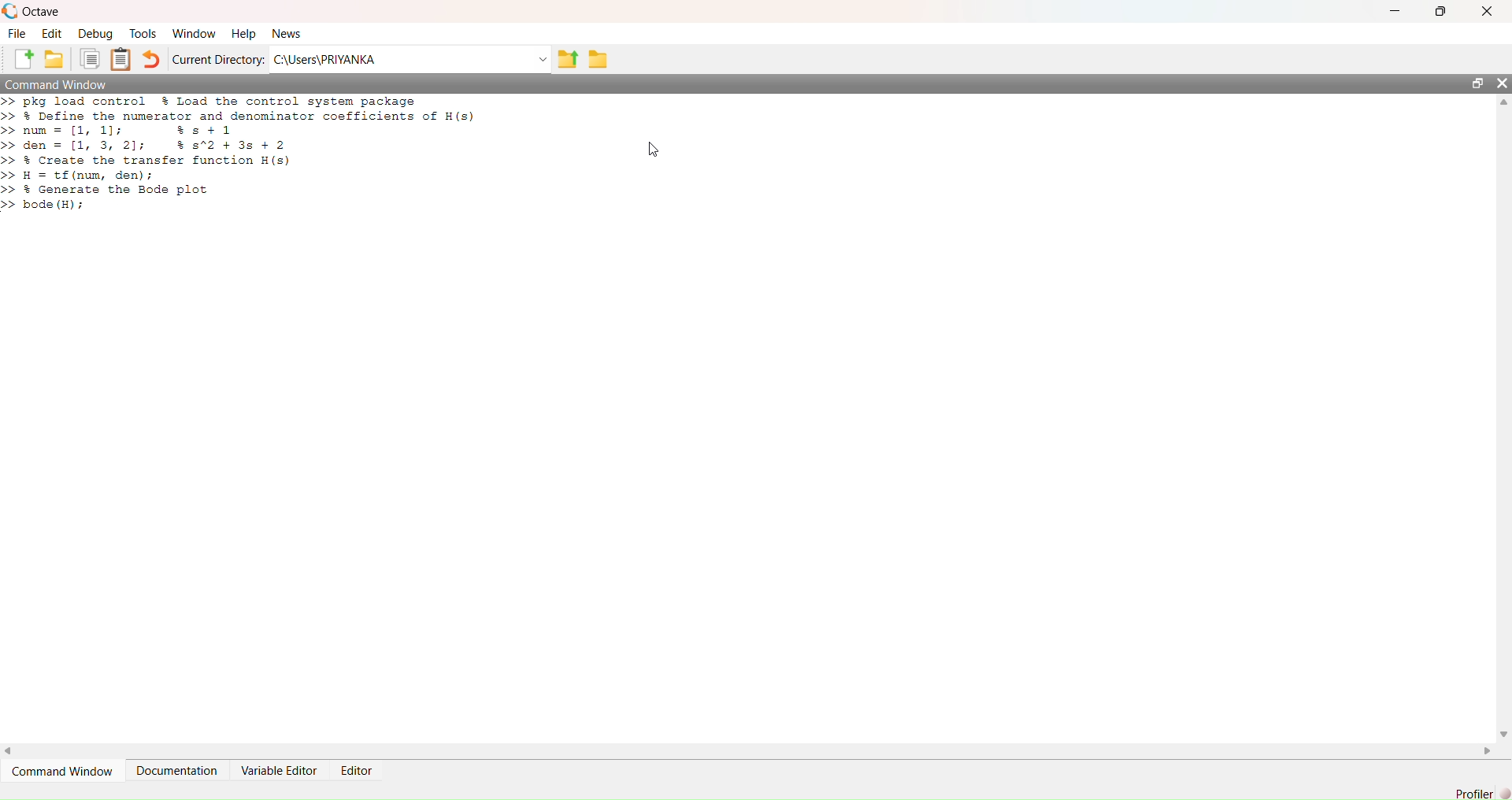  What do you see at coordinates (1478, 83) in the screenshot?
I see `restore` at bounding box center [1478, 83].